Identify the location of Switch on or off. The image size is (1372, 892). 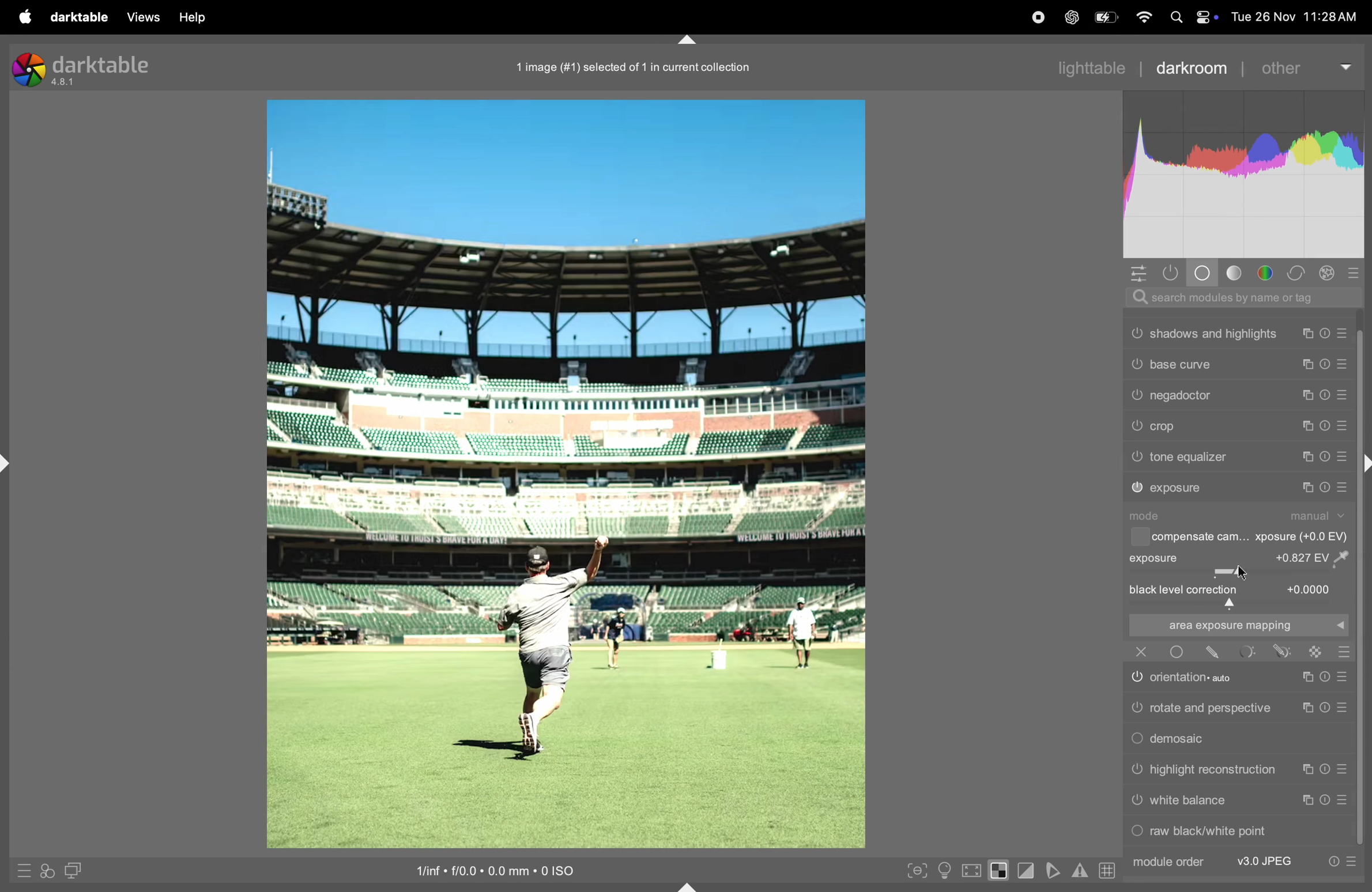
(1136, 740).